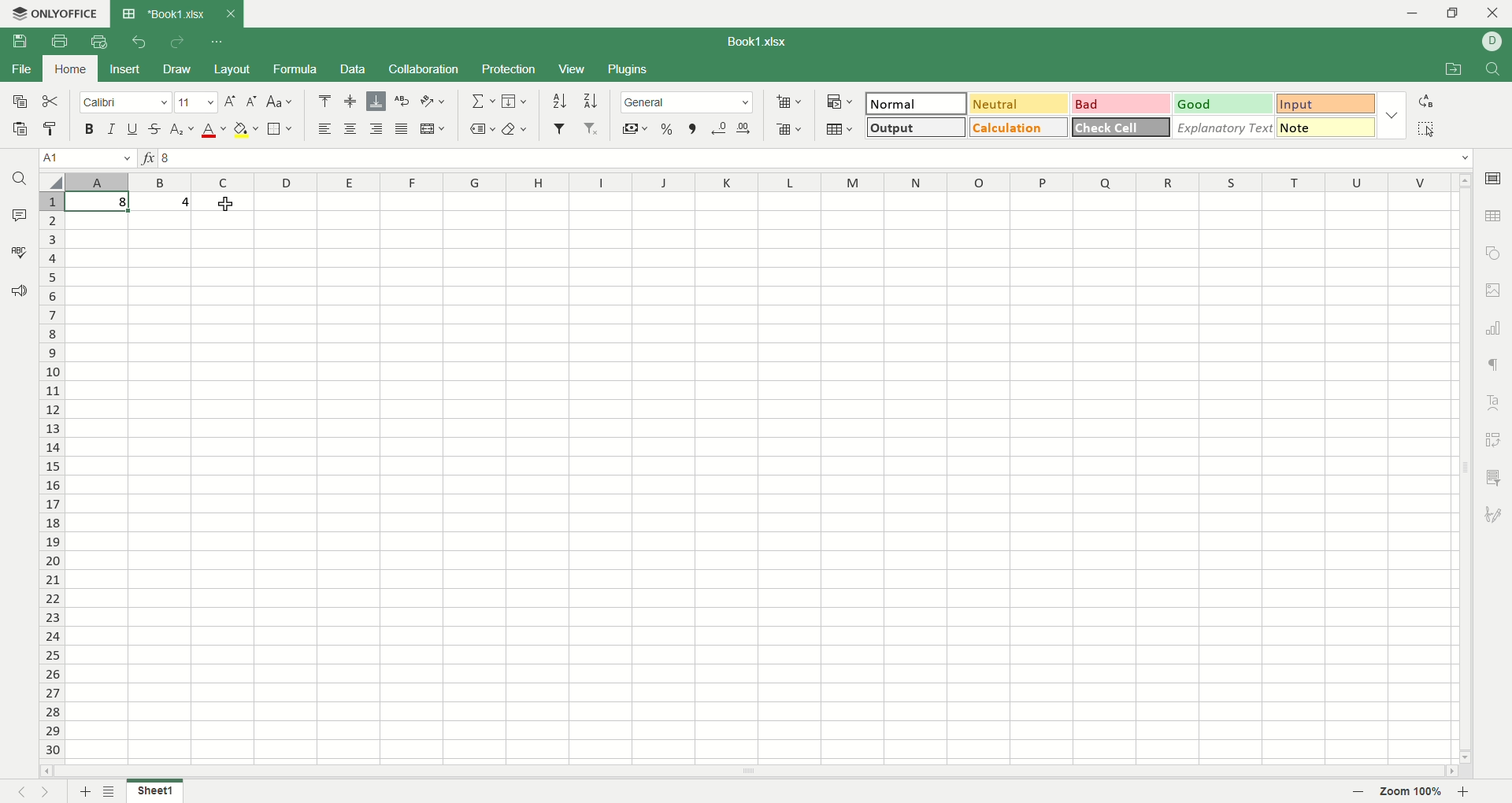 Image resolution: width=1512 pixels, height=803 pixels. What do you see at coordinates (481, 129) in the screenshot?
I see `named ranges` at bounding box center [481, 129].